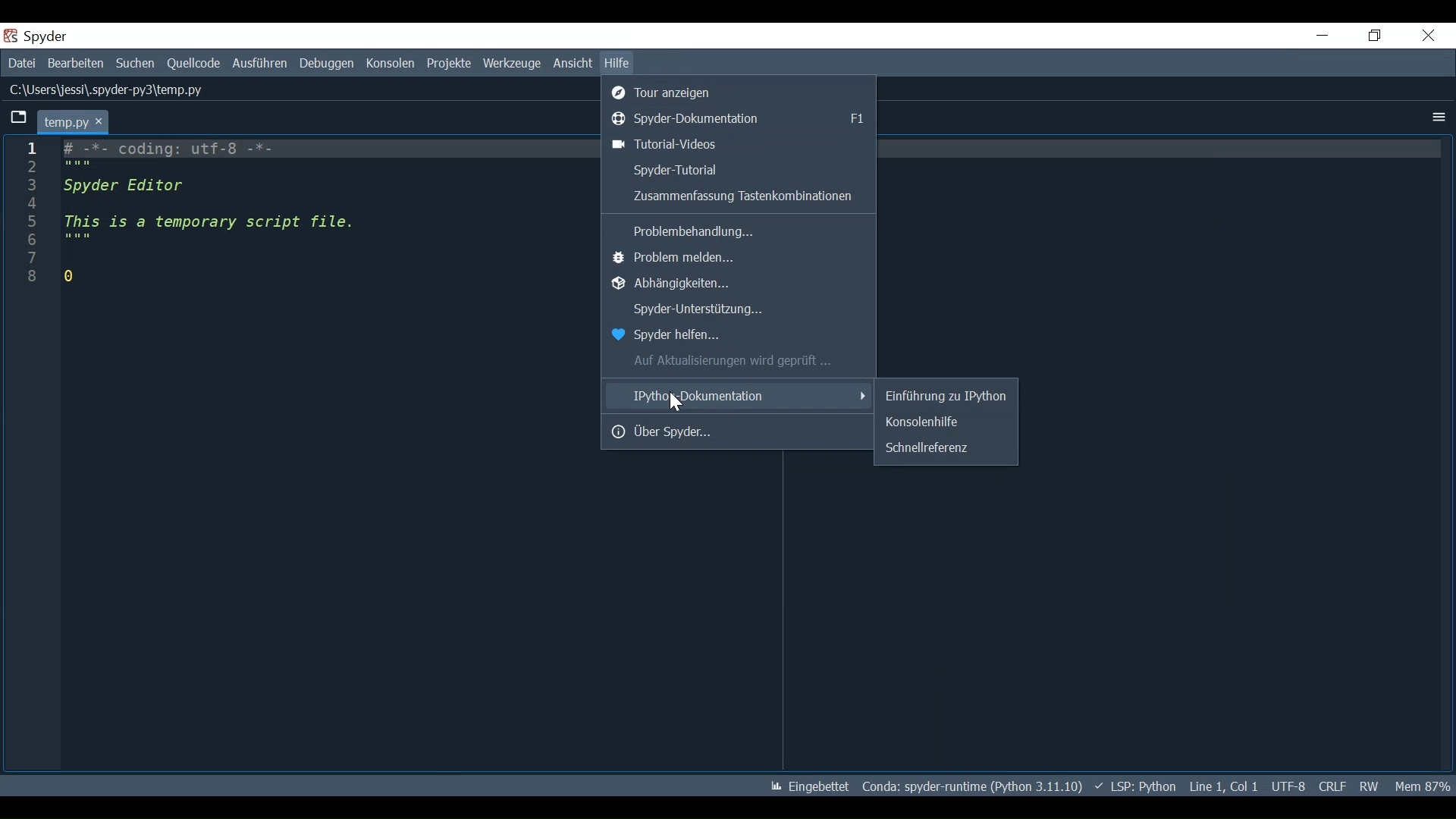  Describe the element at coordinates (1429, 36) in the screenshot. I see `Close` at that location.